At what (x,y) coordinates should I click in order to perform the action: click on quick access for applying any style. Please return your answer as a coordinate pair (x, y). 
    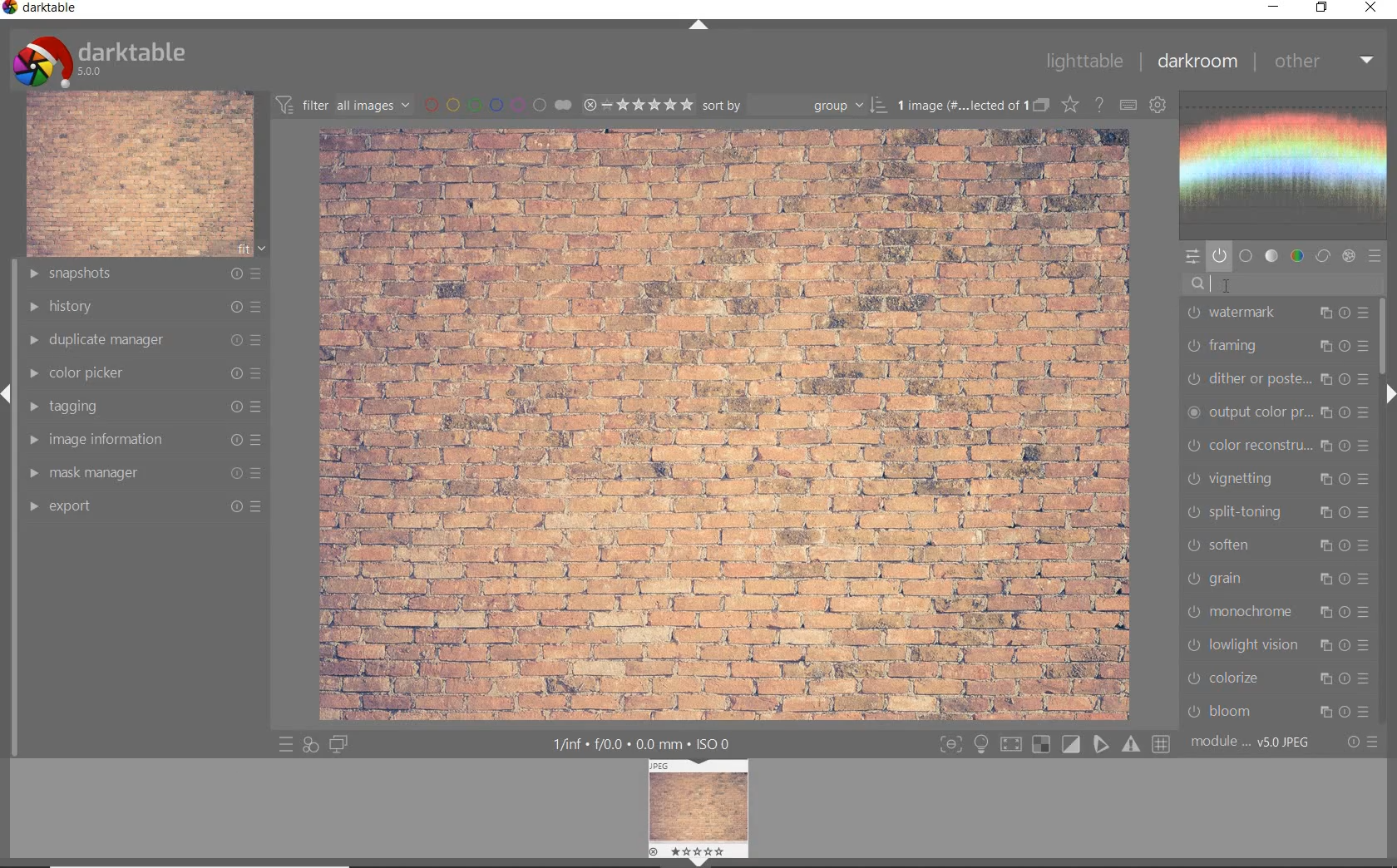
    Looking at the image, I should click on (309, 747).